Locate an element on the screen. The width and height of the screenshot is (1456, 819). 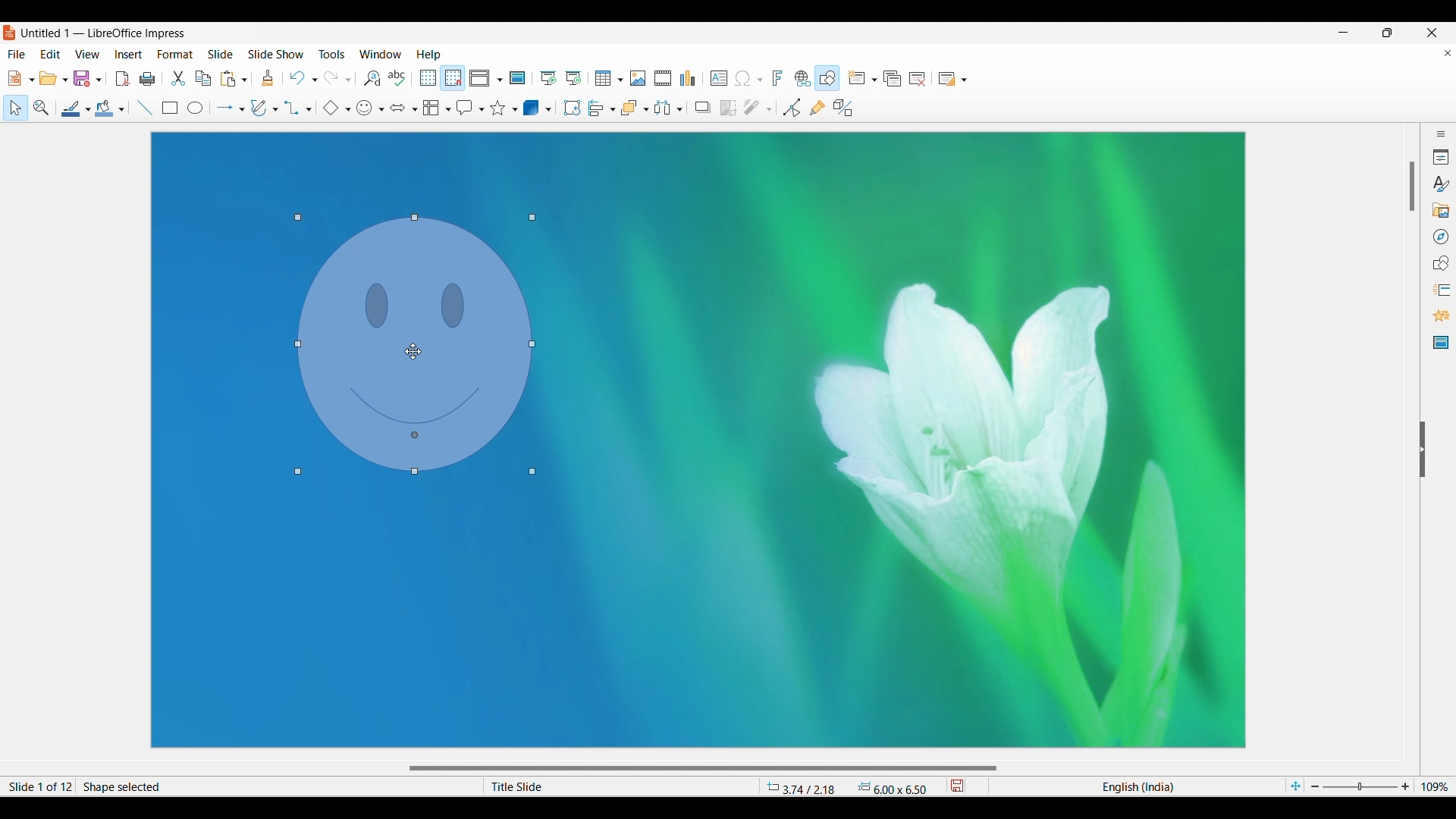
File is located at coordinates (17, 54).